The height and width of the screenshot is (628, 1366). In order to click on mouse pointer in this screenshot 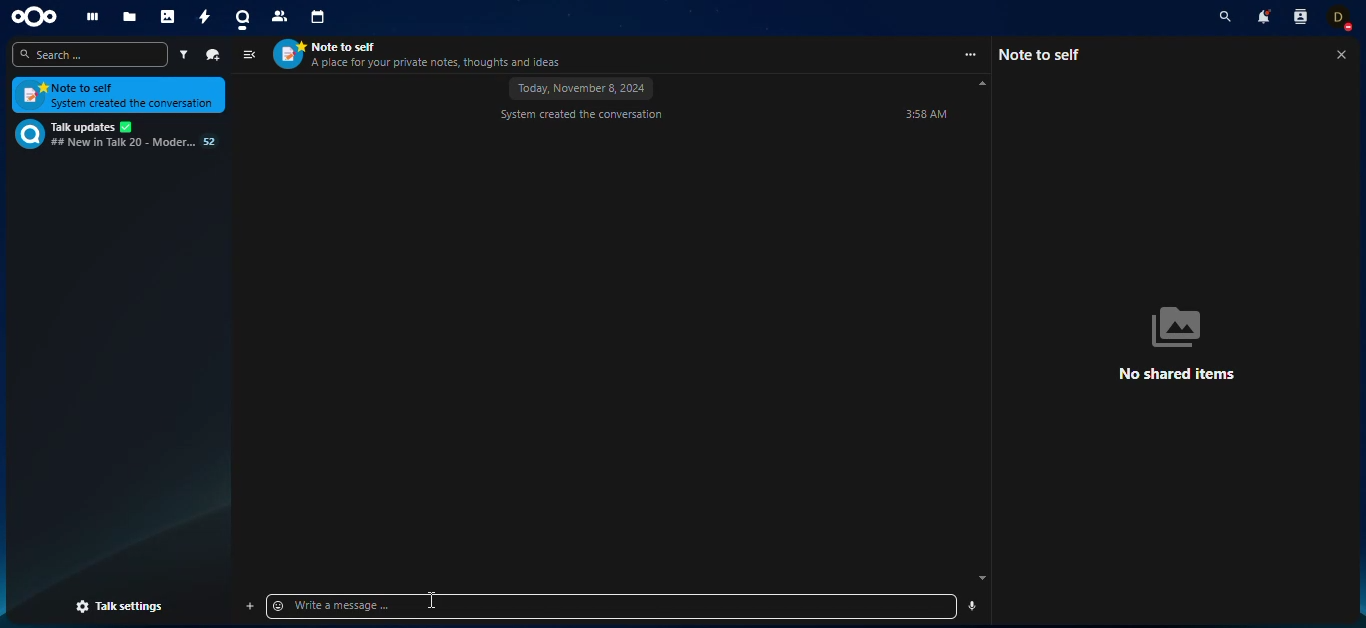, I will do `click(431, 601)`.